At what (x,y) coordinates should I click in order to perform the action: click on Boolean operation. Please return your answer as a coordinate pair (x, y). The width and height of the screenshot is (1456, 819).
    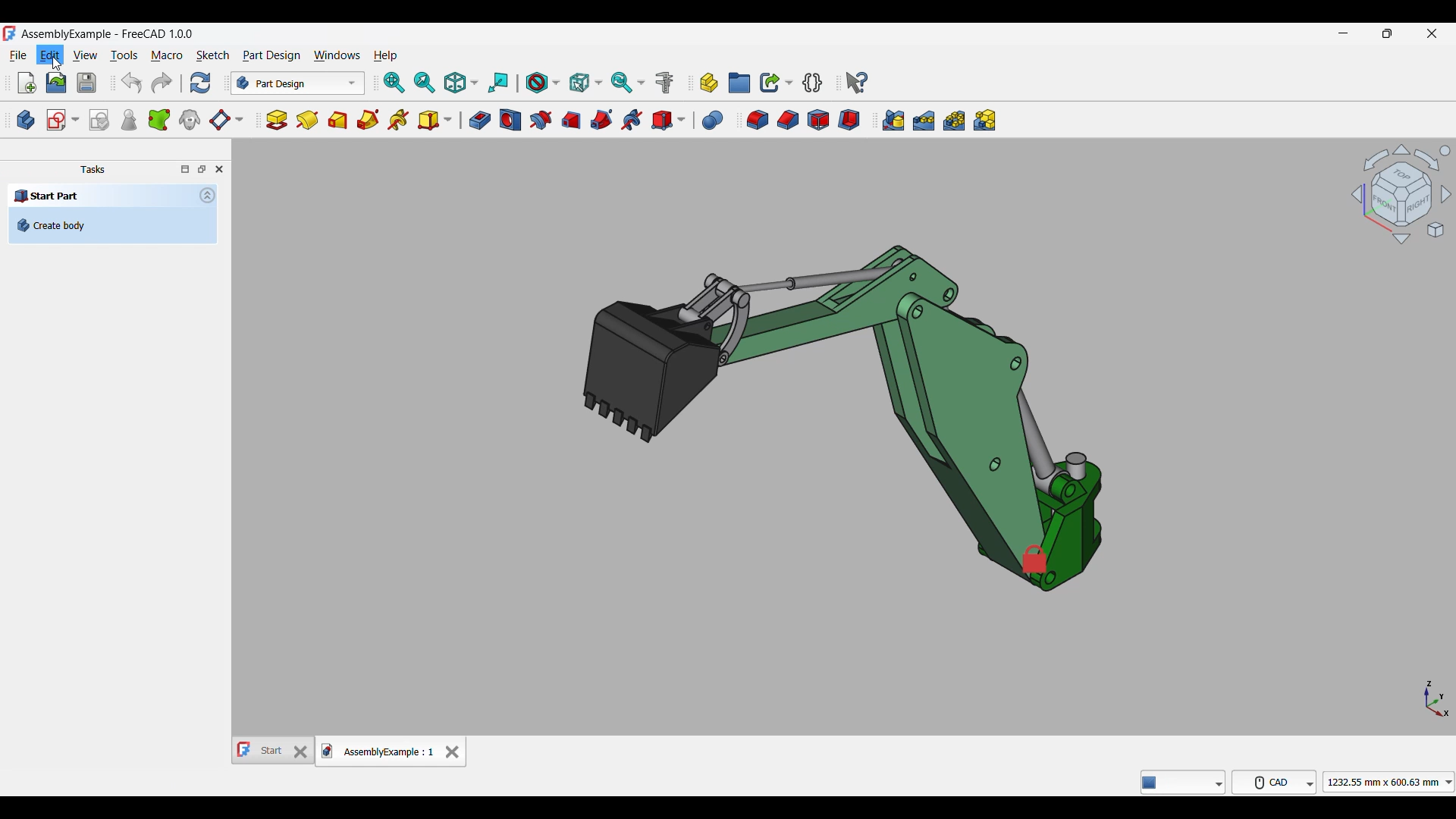
    Looking at the image, I should click on (713, 121).